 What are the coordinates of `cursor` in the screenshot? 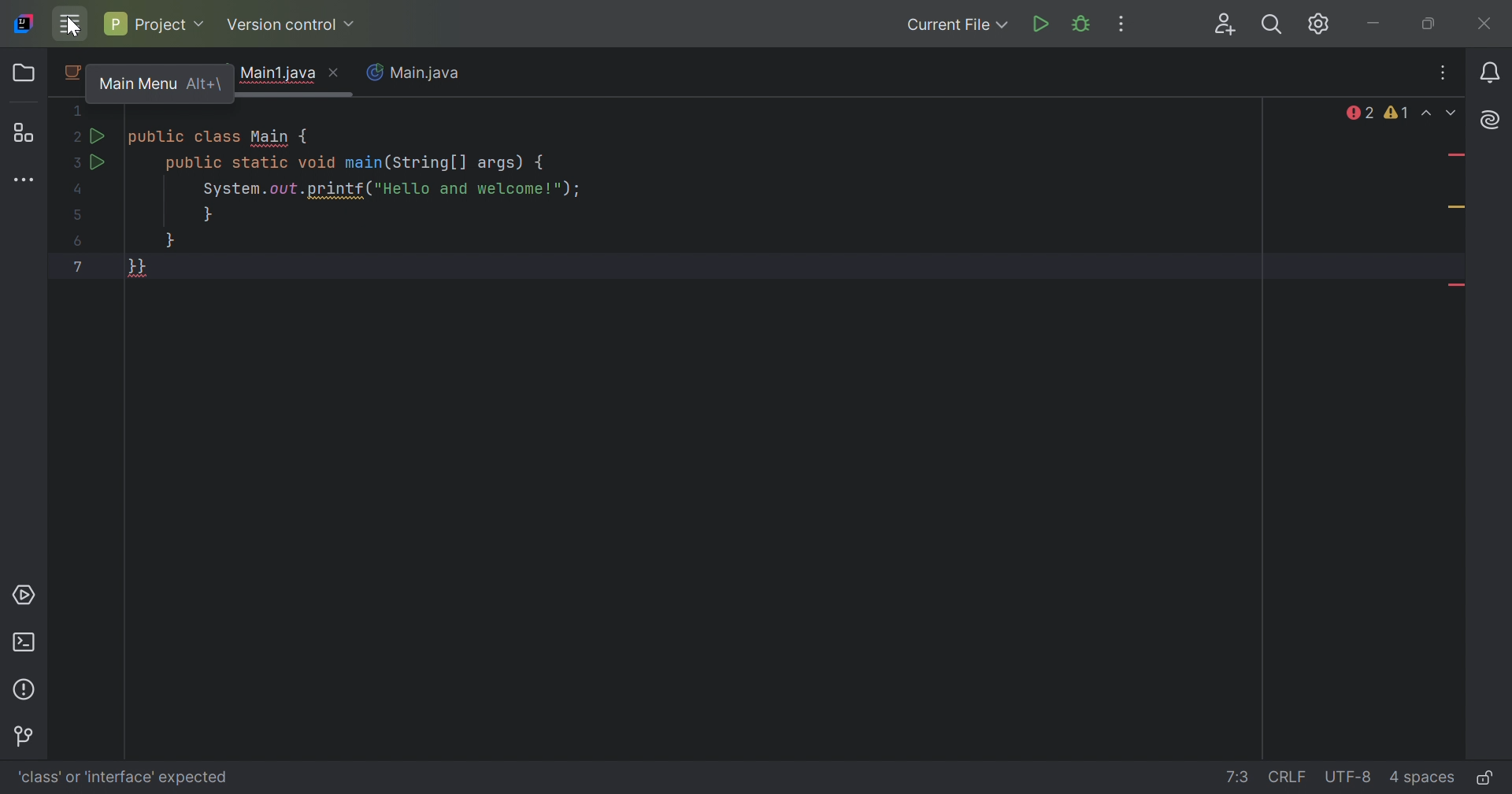 It's located at (70, 28).